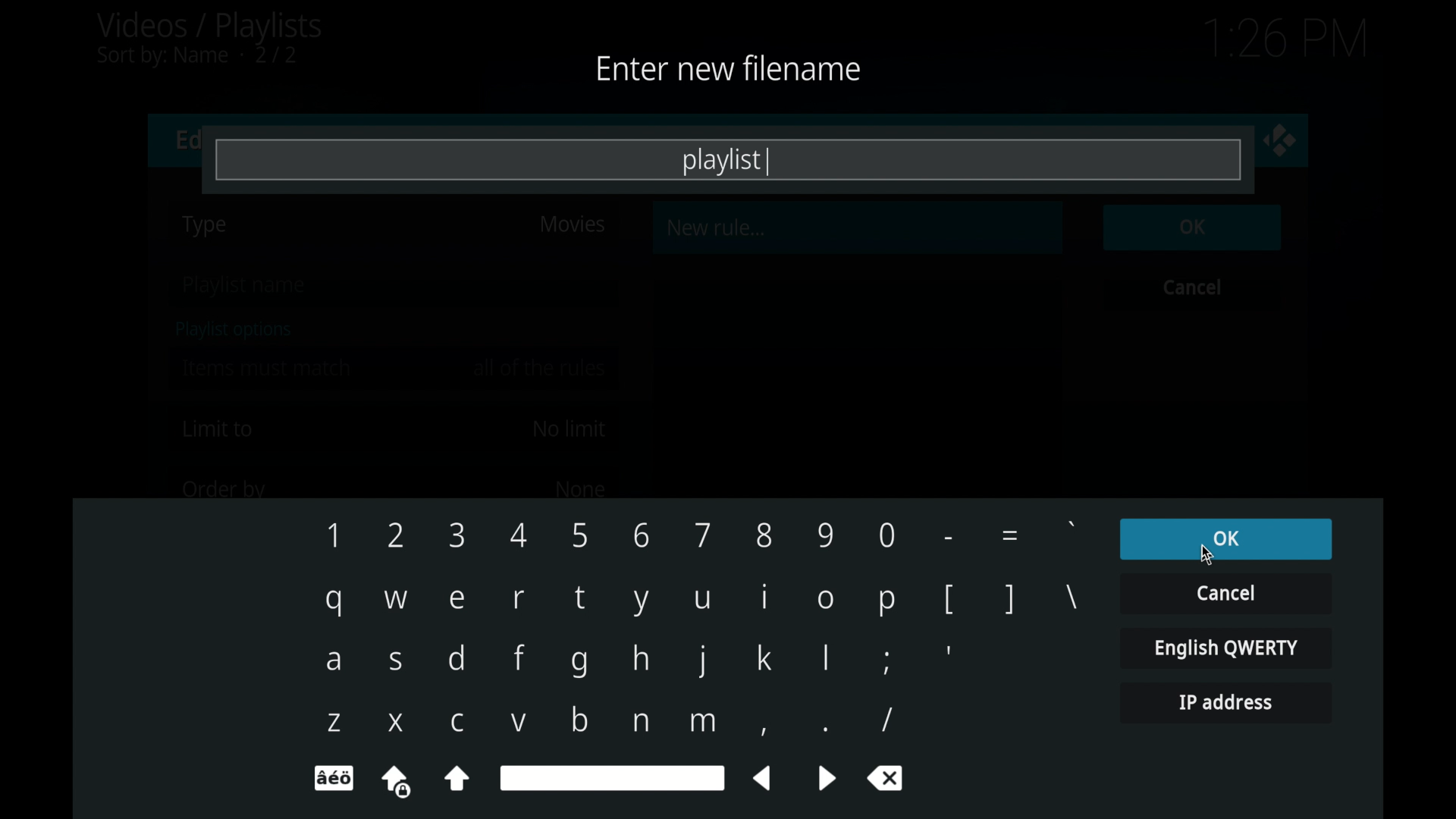 This screenshot has height=819, width=1456. What do you see at coordinates (1225, 539) in the screenshot?
I see `ok` at bounding box center [1225, 539].